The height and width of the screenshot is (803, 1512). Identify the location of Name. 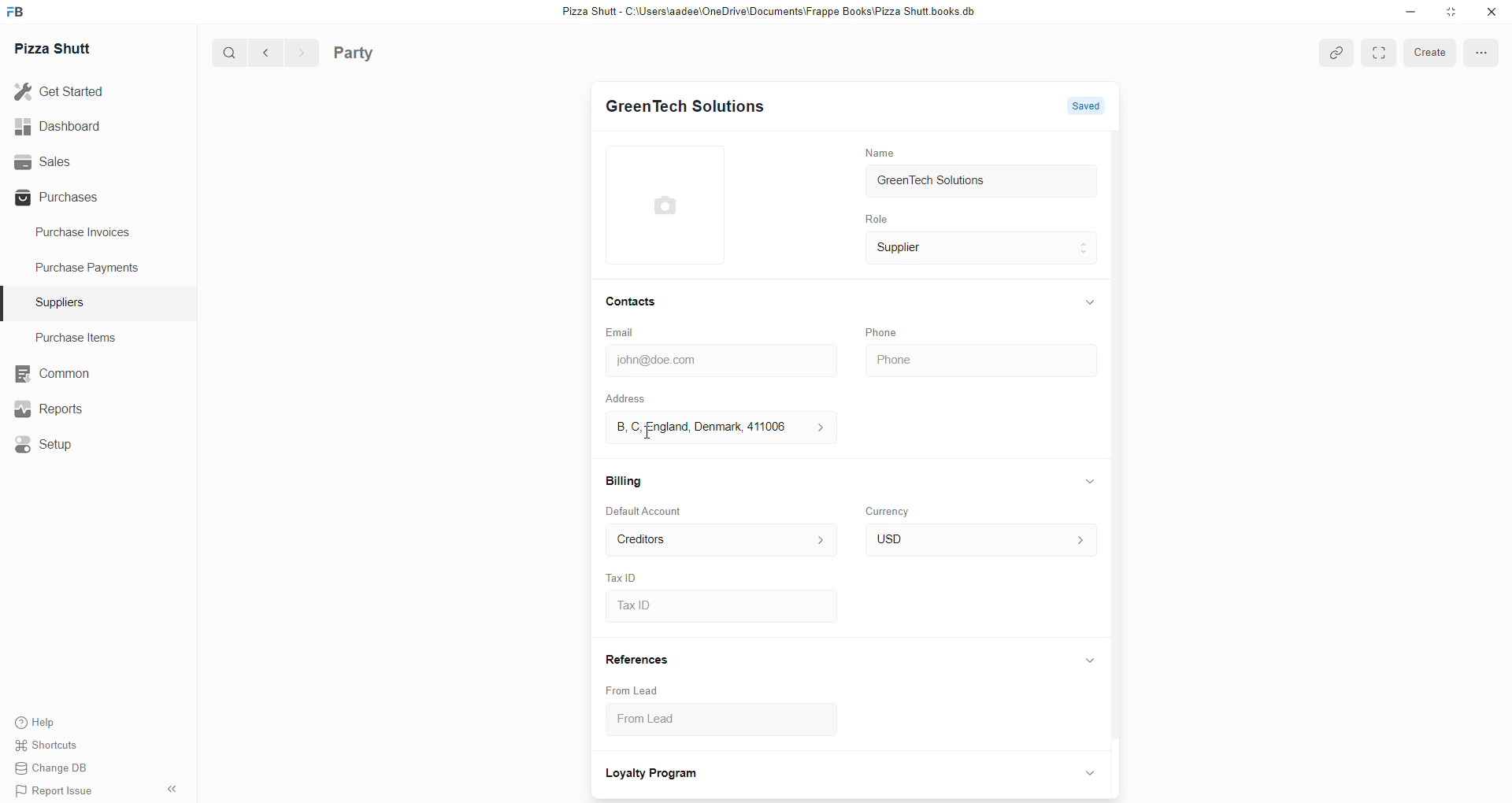
(879, 152).